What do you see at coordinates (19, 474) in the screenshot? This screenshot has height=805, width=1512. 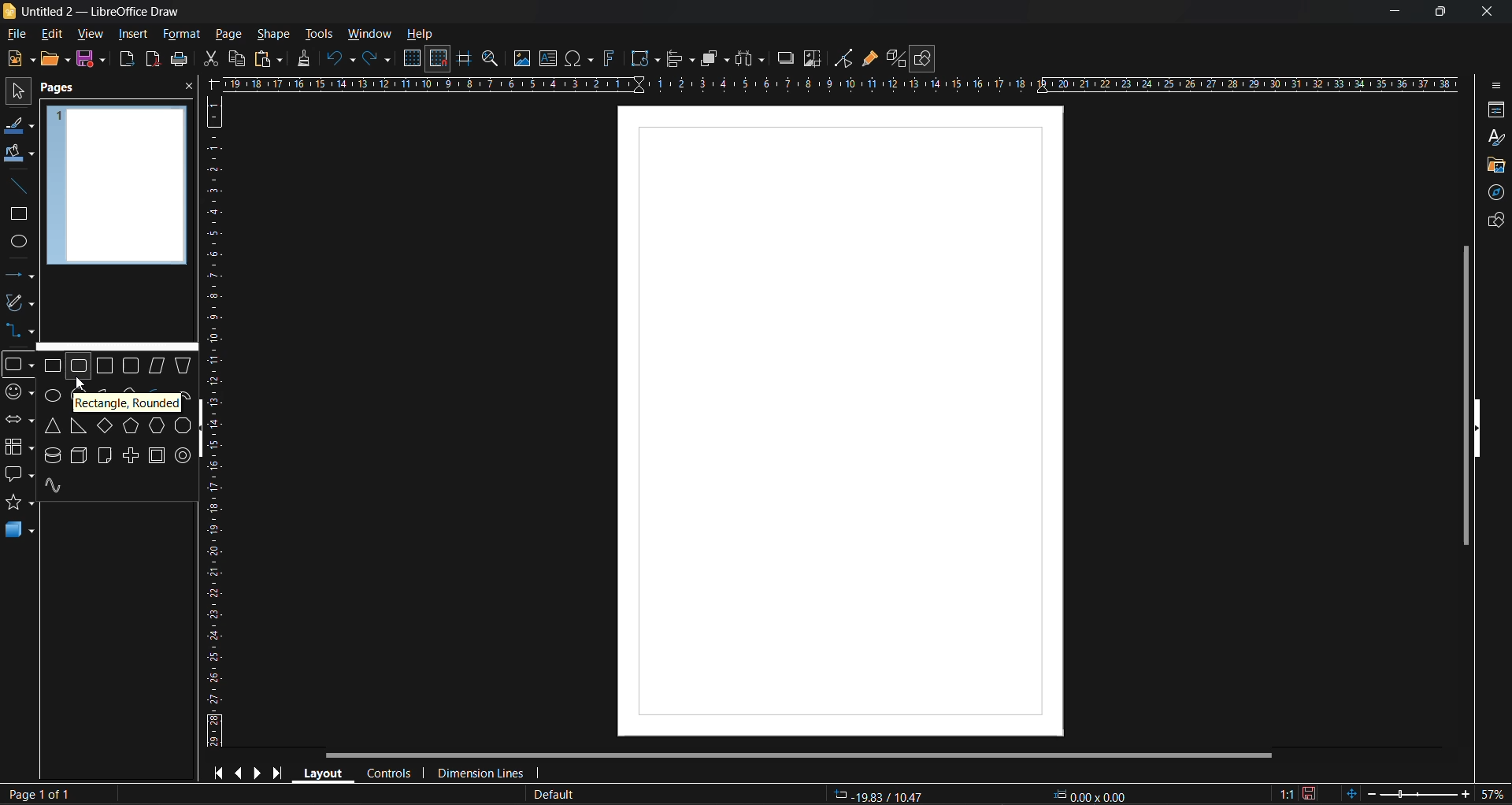 I see `callout shapes` at bounding box center [19, 474].